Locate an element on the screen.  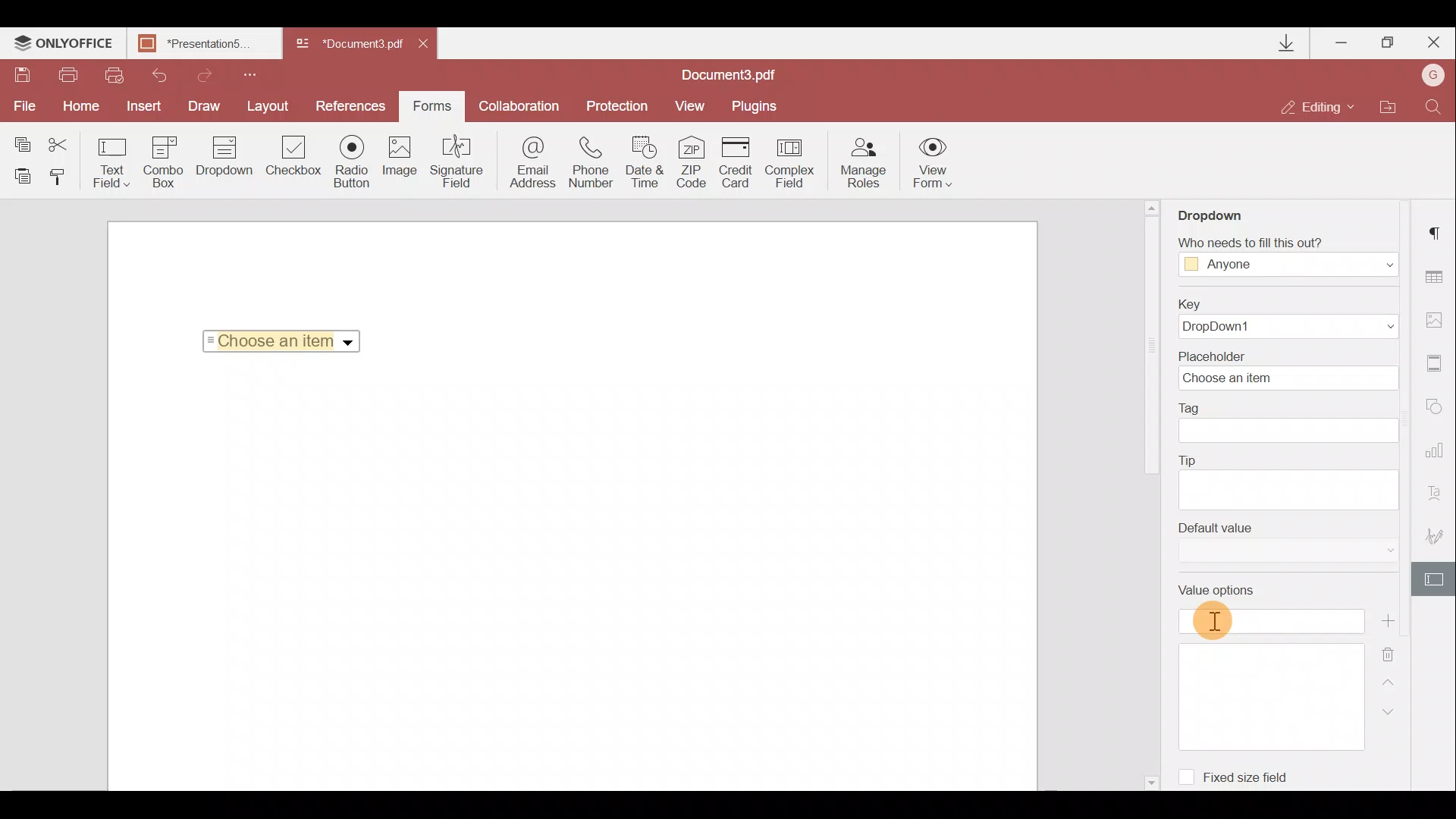
Redo is located at coordinates (197, 73).